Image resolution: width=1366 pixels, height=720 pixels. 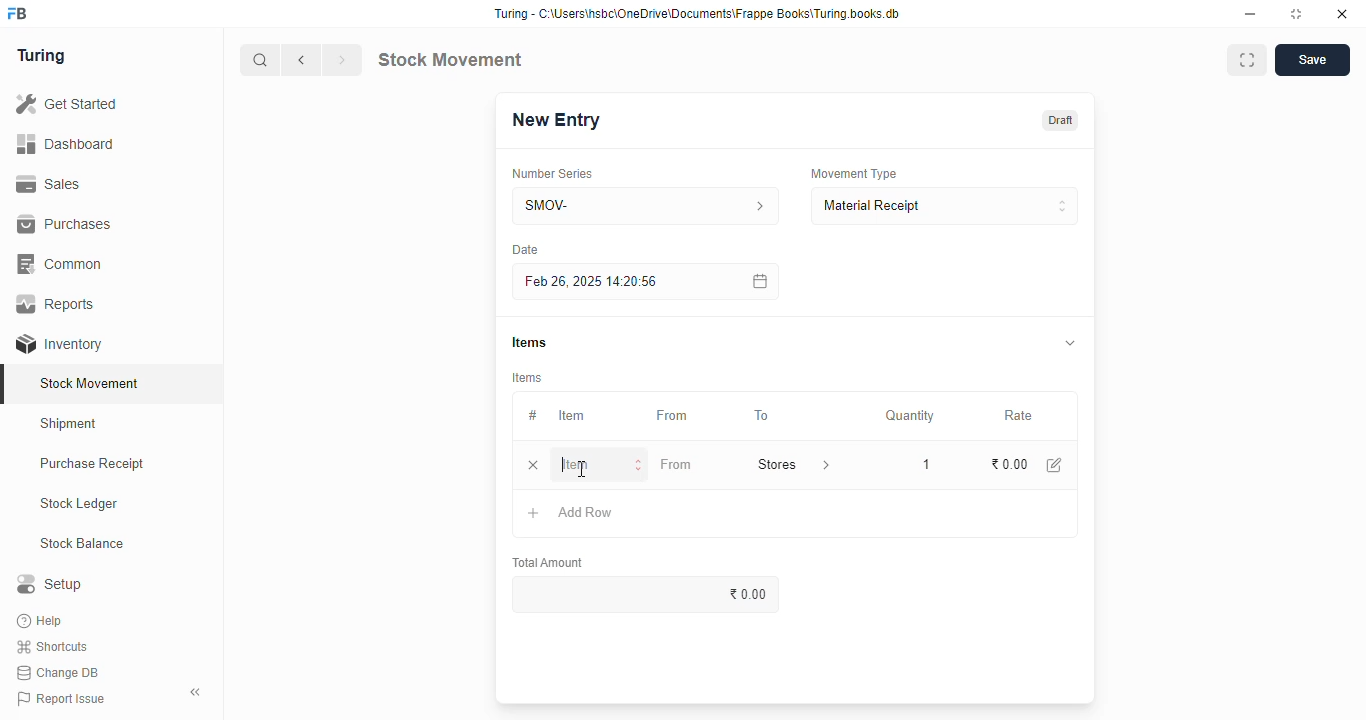 What do you see at coordinates (549, 563) in the screenshot?
I see `total amount` at bounding box center [549, 563].